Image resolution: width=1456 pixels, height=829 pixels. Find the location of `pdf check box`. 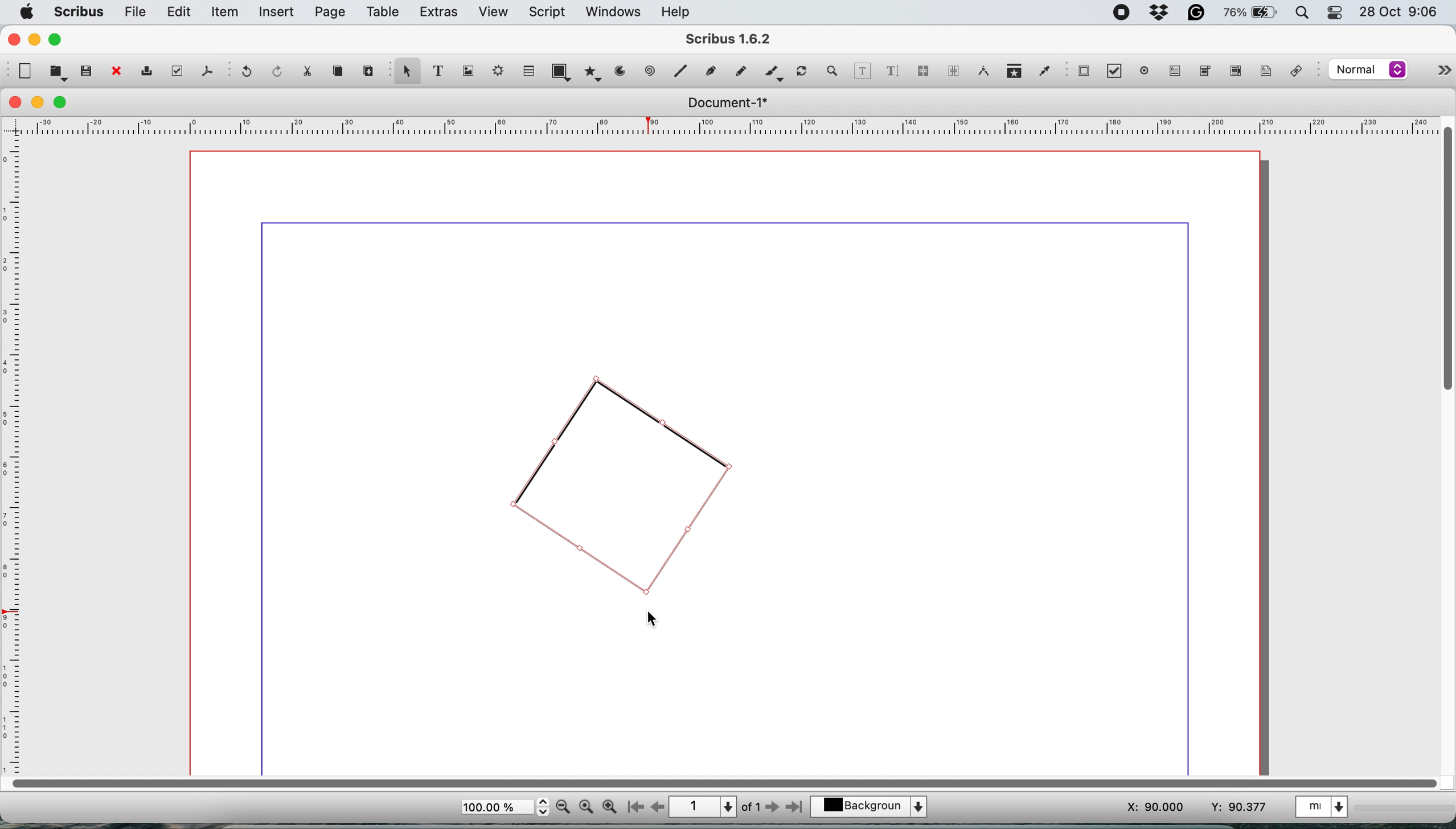

pdf check box is located at coordinates (1114, 71).